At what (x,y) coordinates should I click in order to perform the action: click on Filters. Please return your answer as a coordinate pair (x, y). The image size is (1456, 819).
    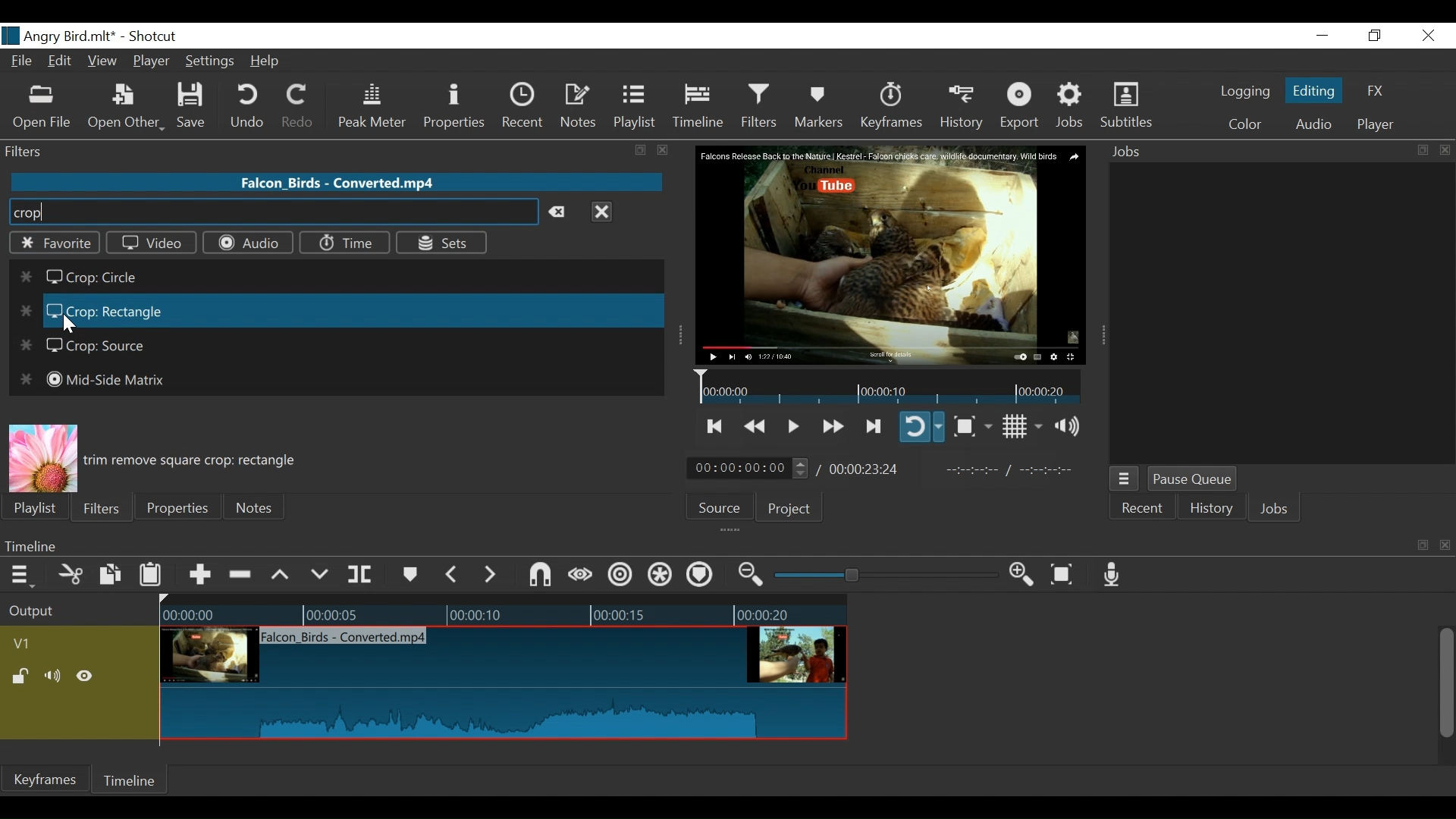
    Looking at the image, I should click on (761, 105).